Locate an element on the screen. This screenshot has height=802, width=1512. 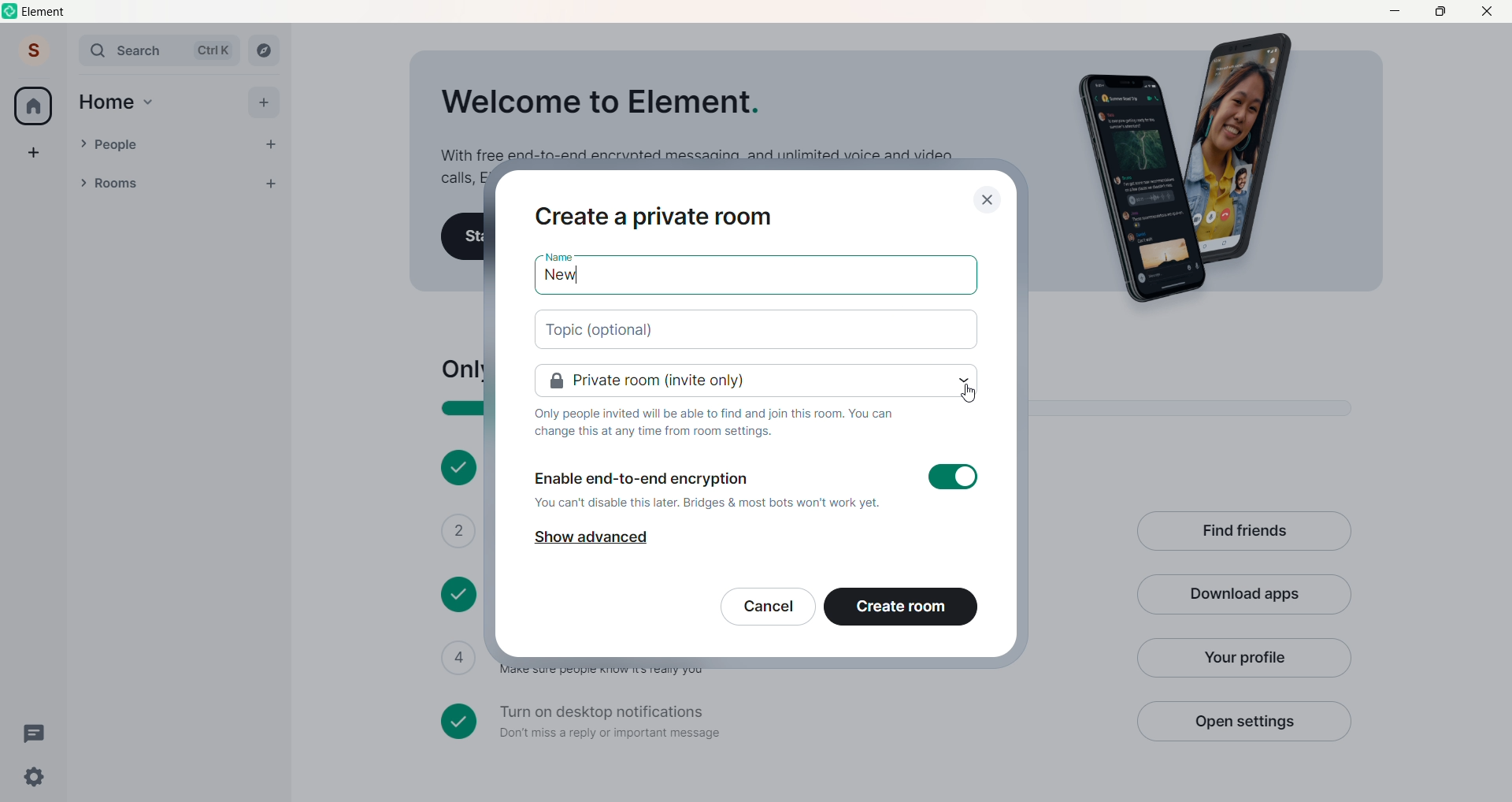
Room Drop Down is located at coordinates (83, 183).